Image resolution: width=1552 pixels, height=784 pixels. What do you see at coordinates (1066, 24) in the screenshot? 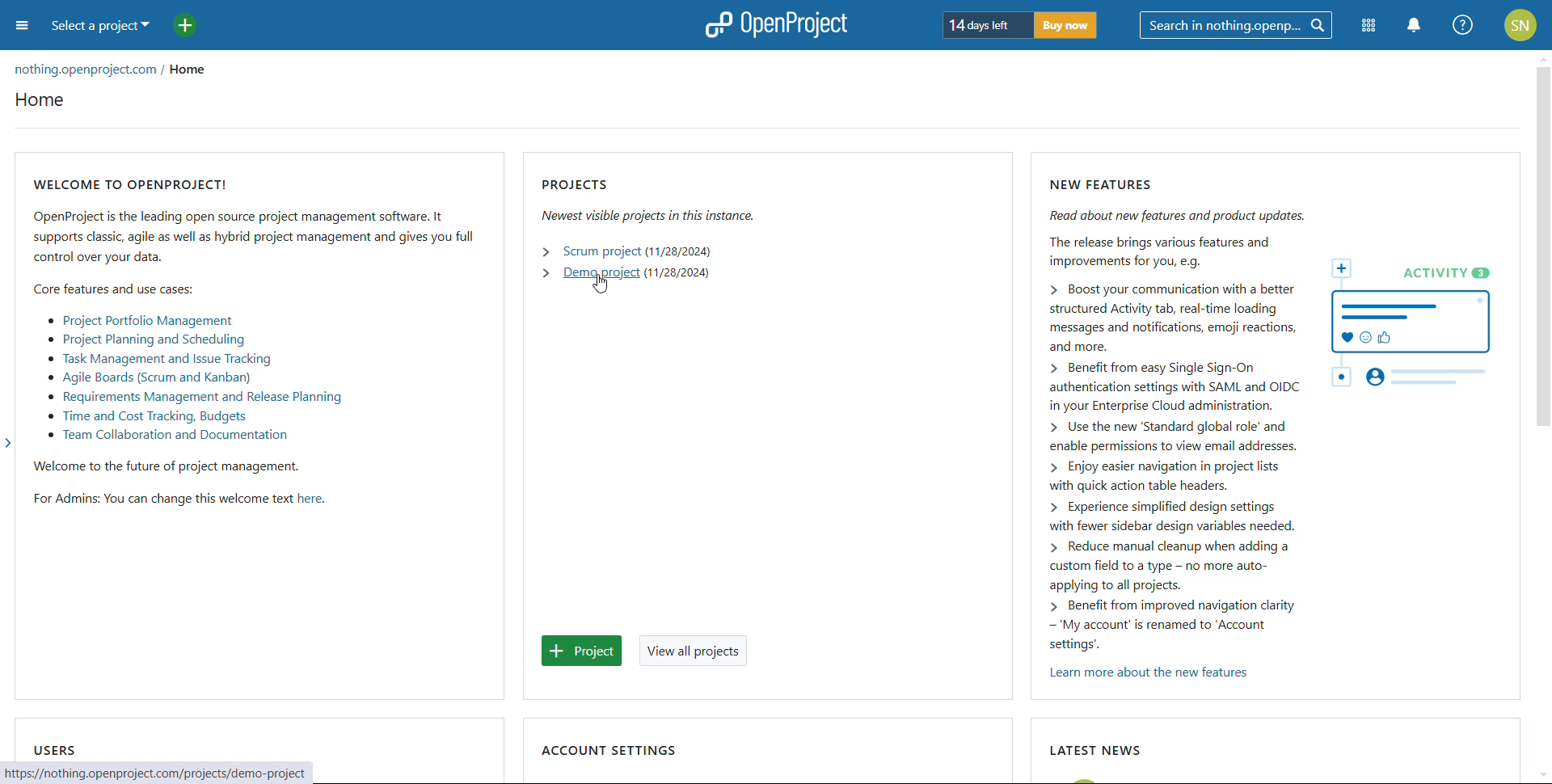
I see `buy now` at bounding box center [1066, 24].